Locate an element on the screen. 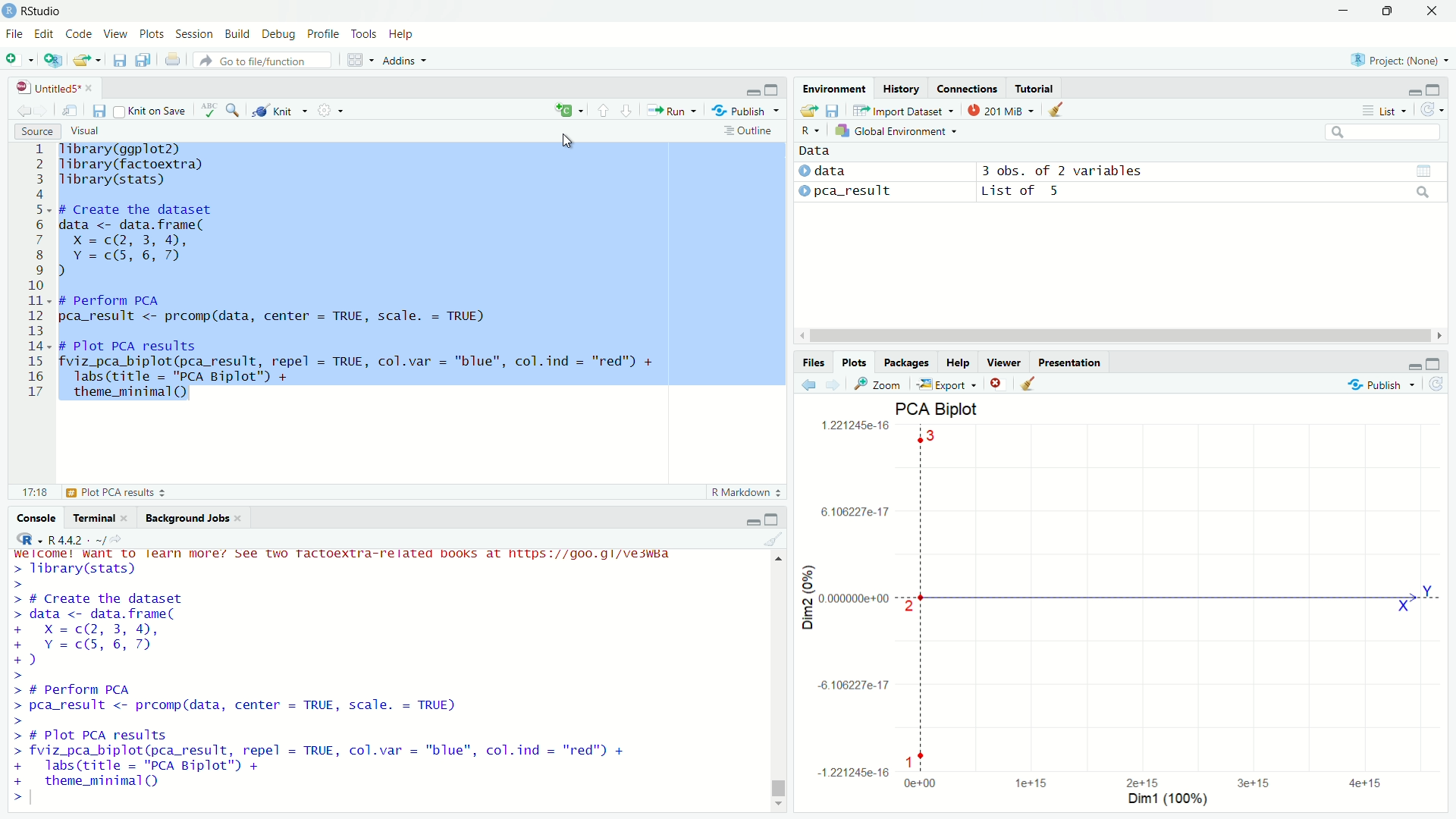 The image size is (1456, 819). search is located at coordinates (1385, 132).